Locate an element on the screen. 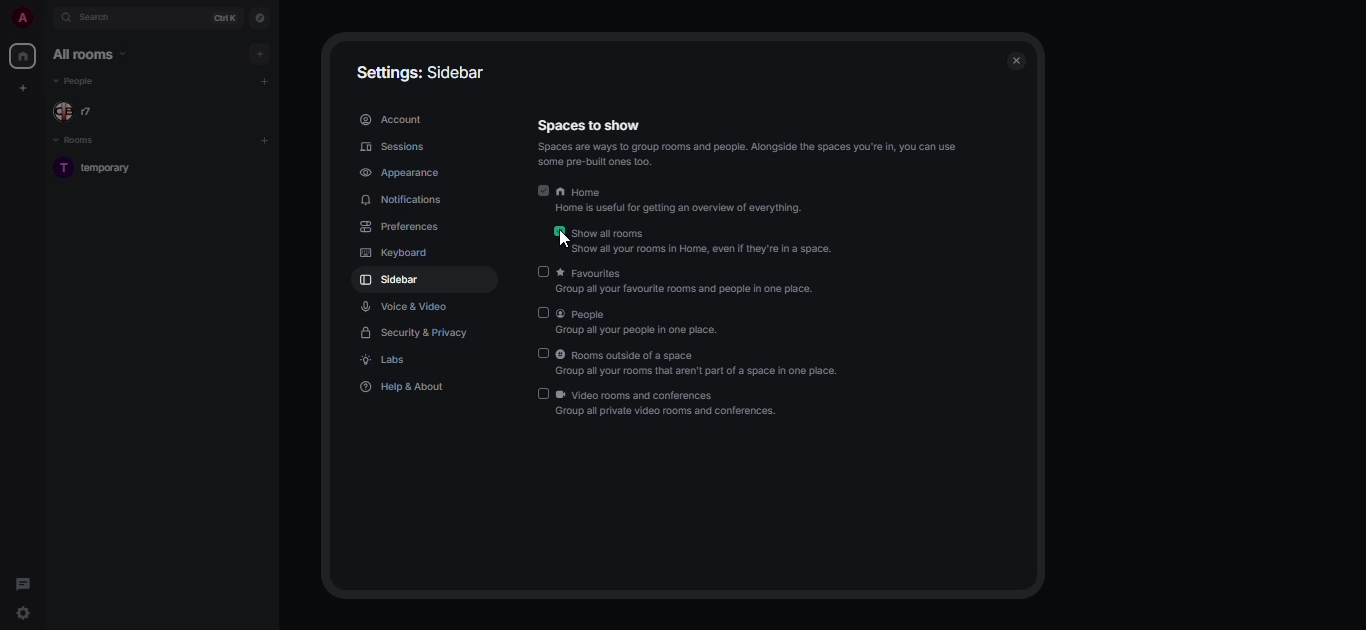 This screenshot has height=630, width=1366. threads is located at coordinates (24, 583).